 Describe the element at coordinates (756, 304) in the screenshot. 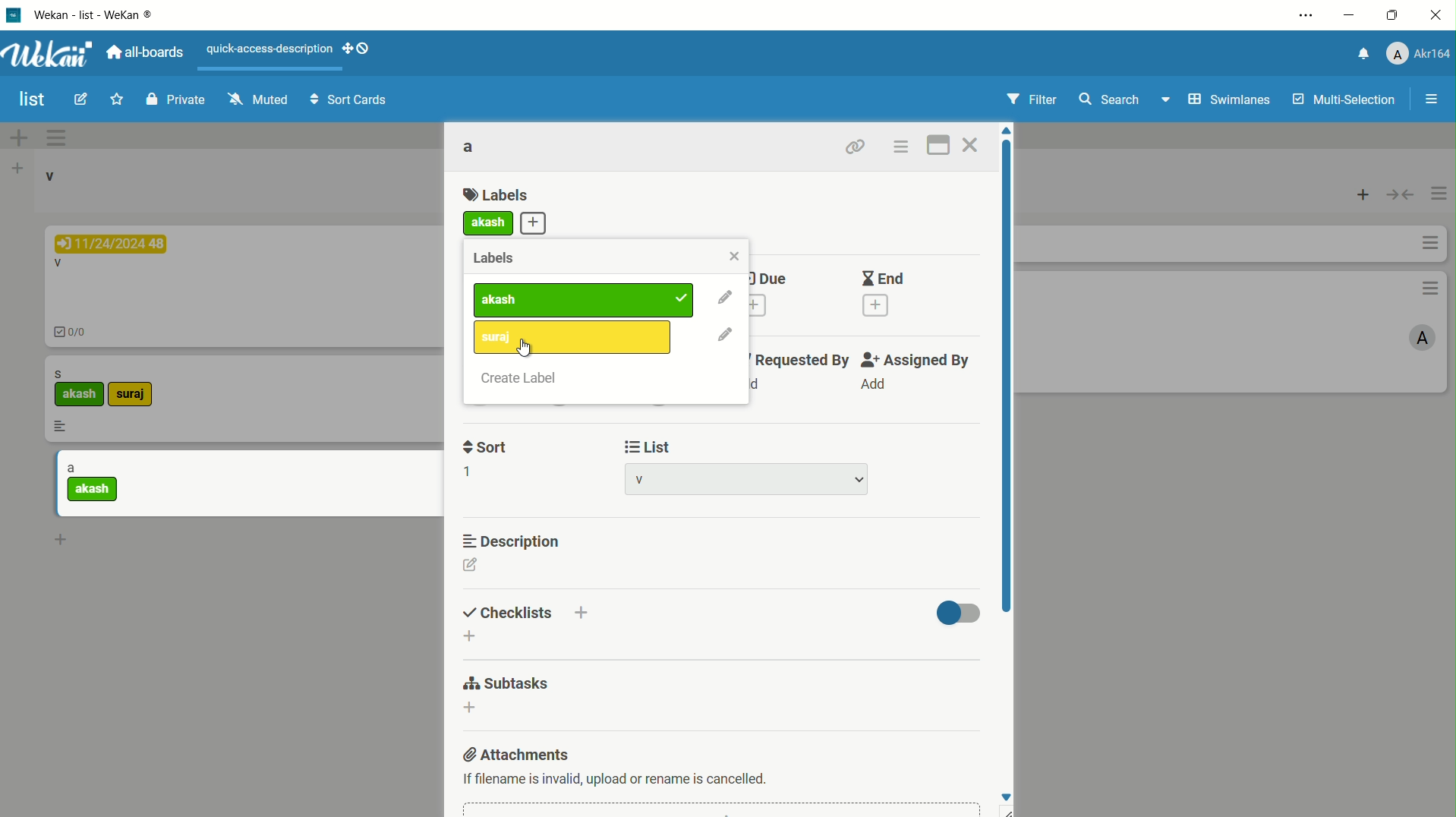

I see `add due date` at that location.